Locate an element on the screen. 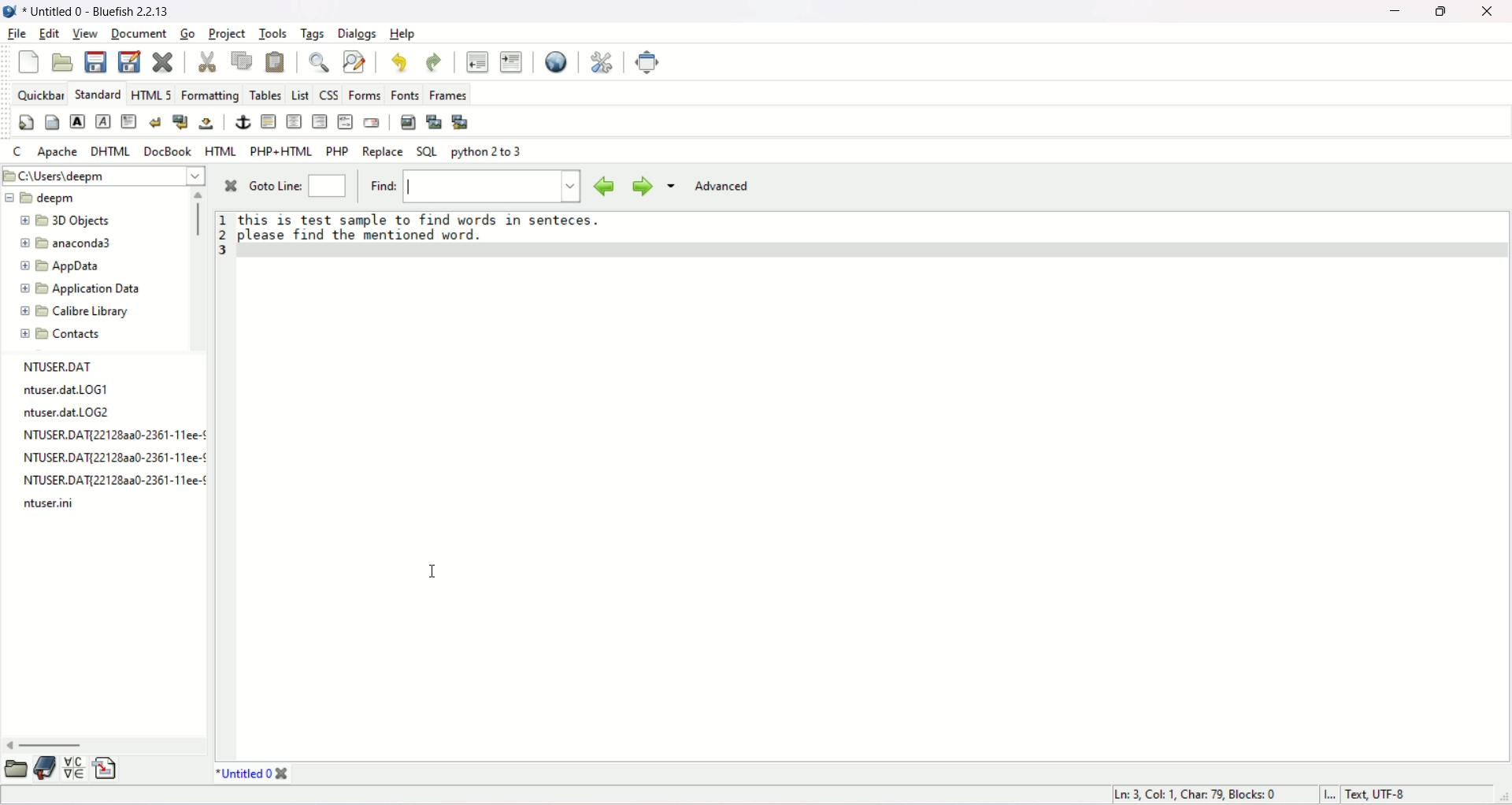  body is located at coordinates (51, 122).